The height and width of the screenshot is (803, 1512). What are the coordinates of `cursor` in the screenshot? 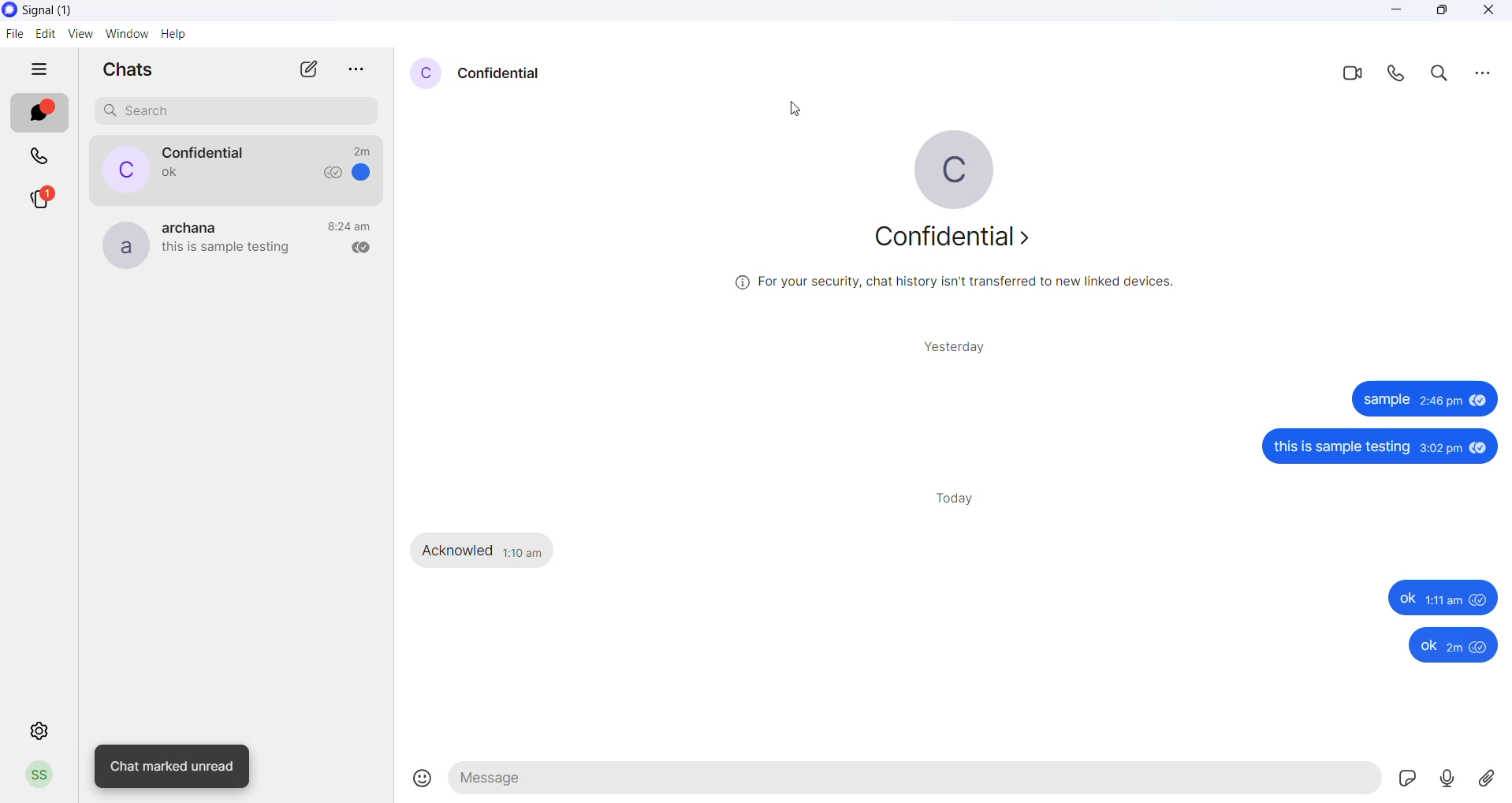 It's located at (804, 114).